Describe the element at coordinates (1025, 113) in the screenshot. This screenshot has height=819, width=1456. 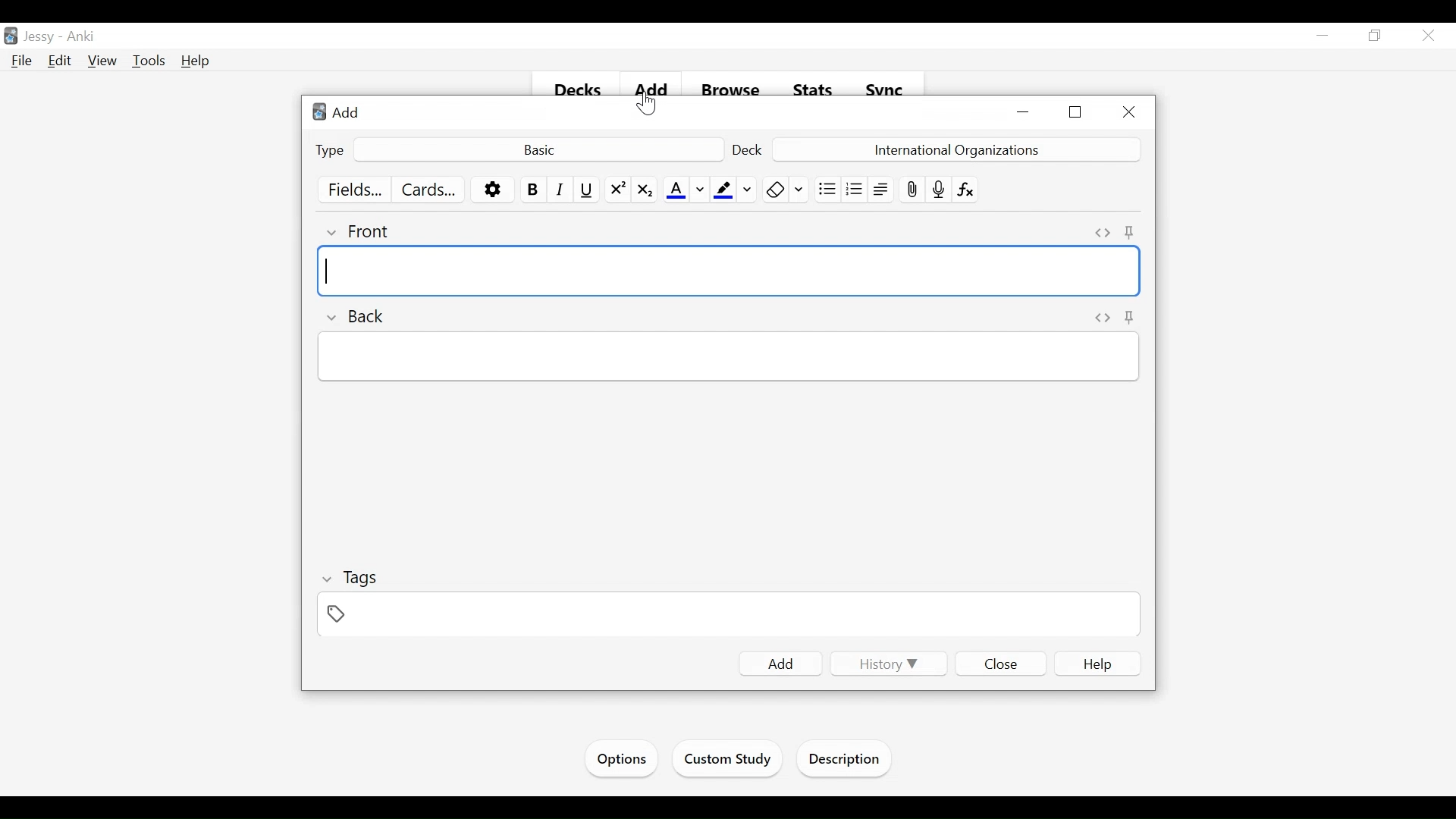
I see `minimize` at that location.